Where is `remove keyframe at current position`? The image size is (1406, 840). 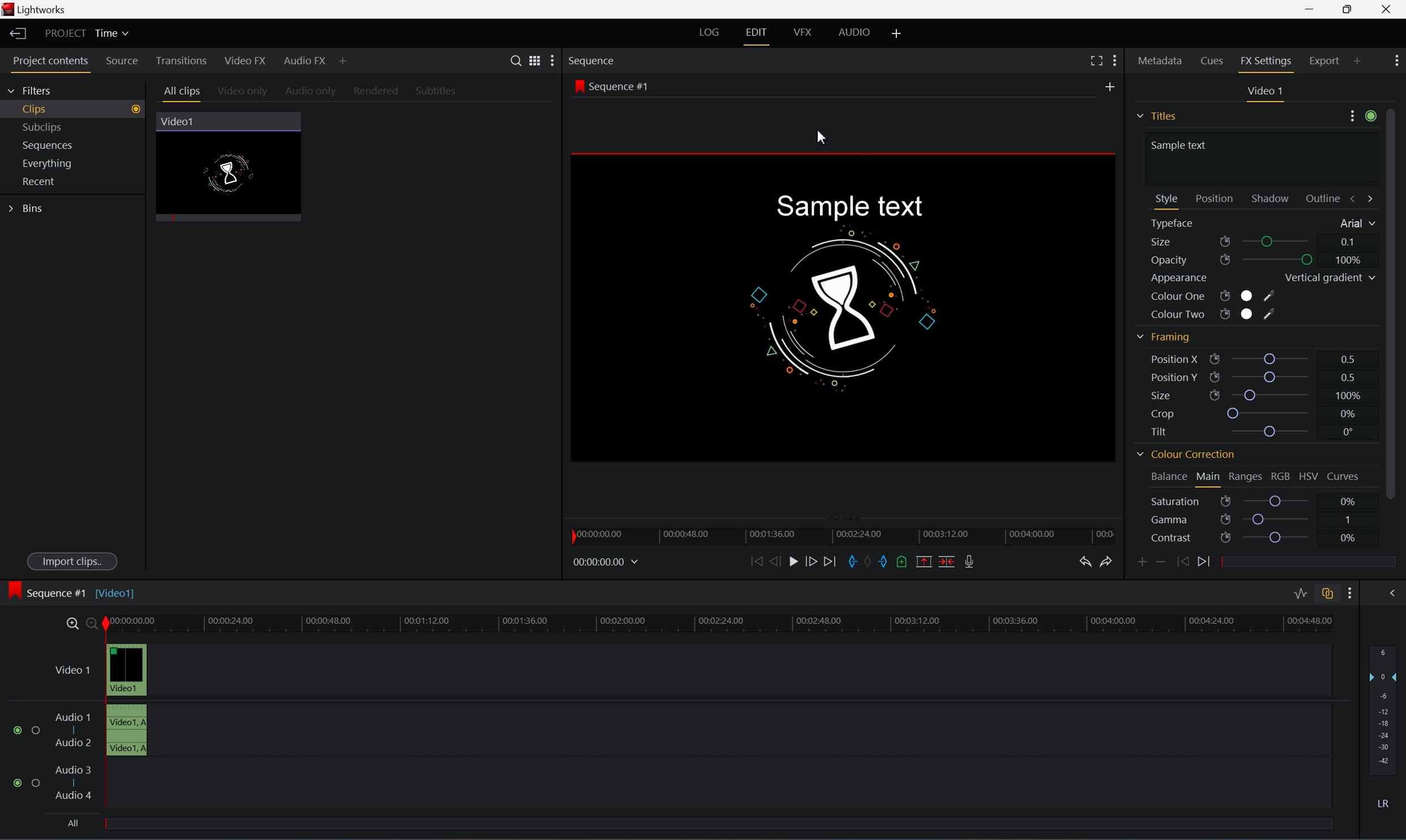 remove keyframe at current position is located at coordinates (1160, 560).